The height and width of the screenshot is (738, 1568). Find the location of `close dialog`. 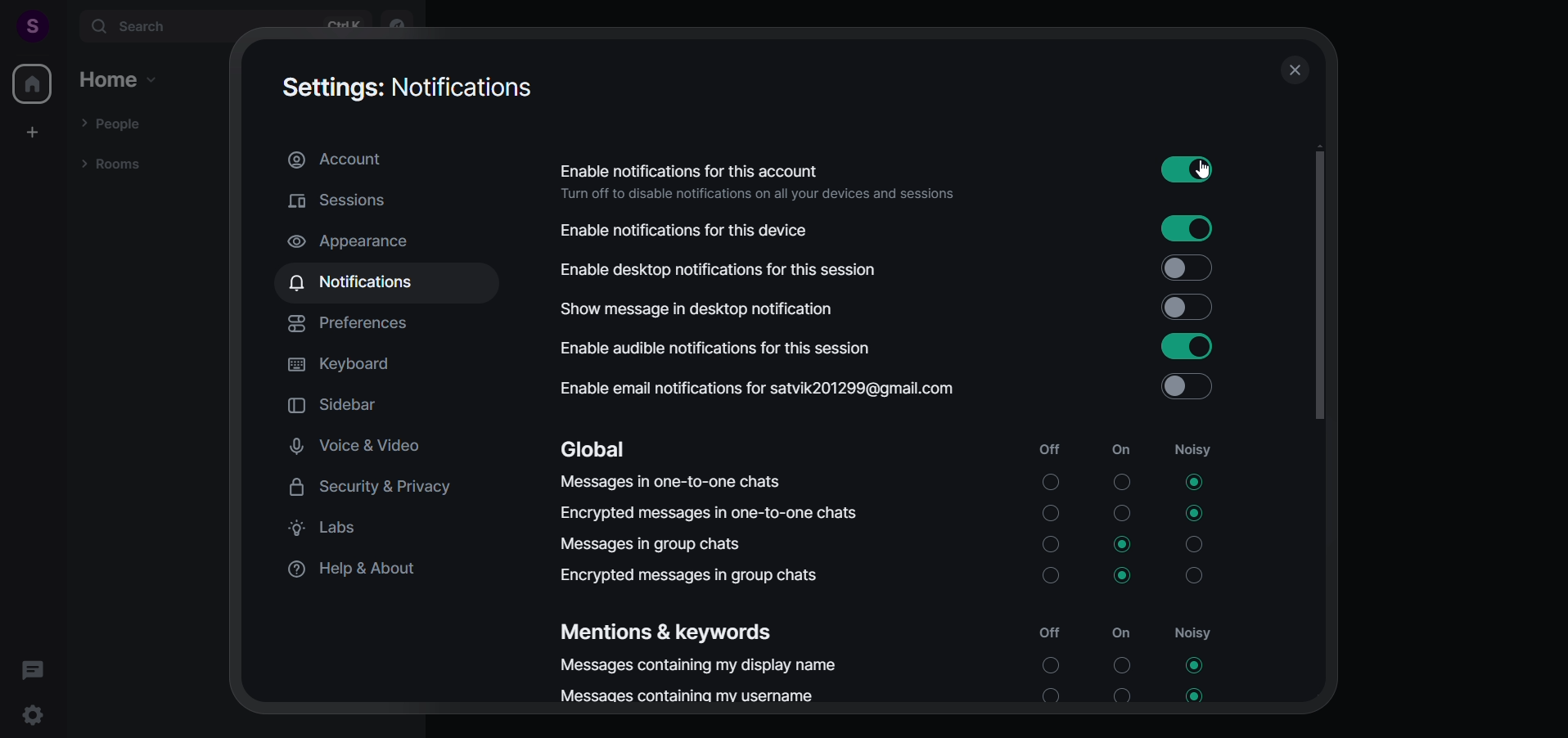

close dialog is located at coordinates (1291, 70).